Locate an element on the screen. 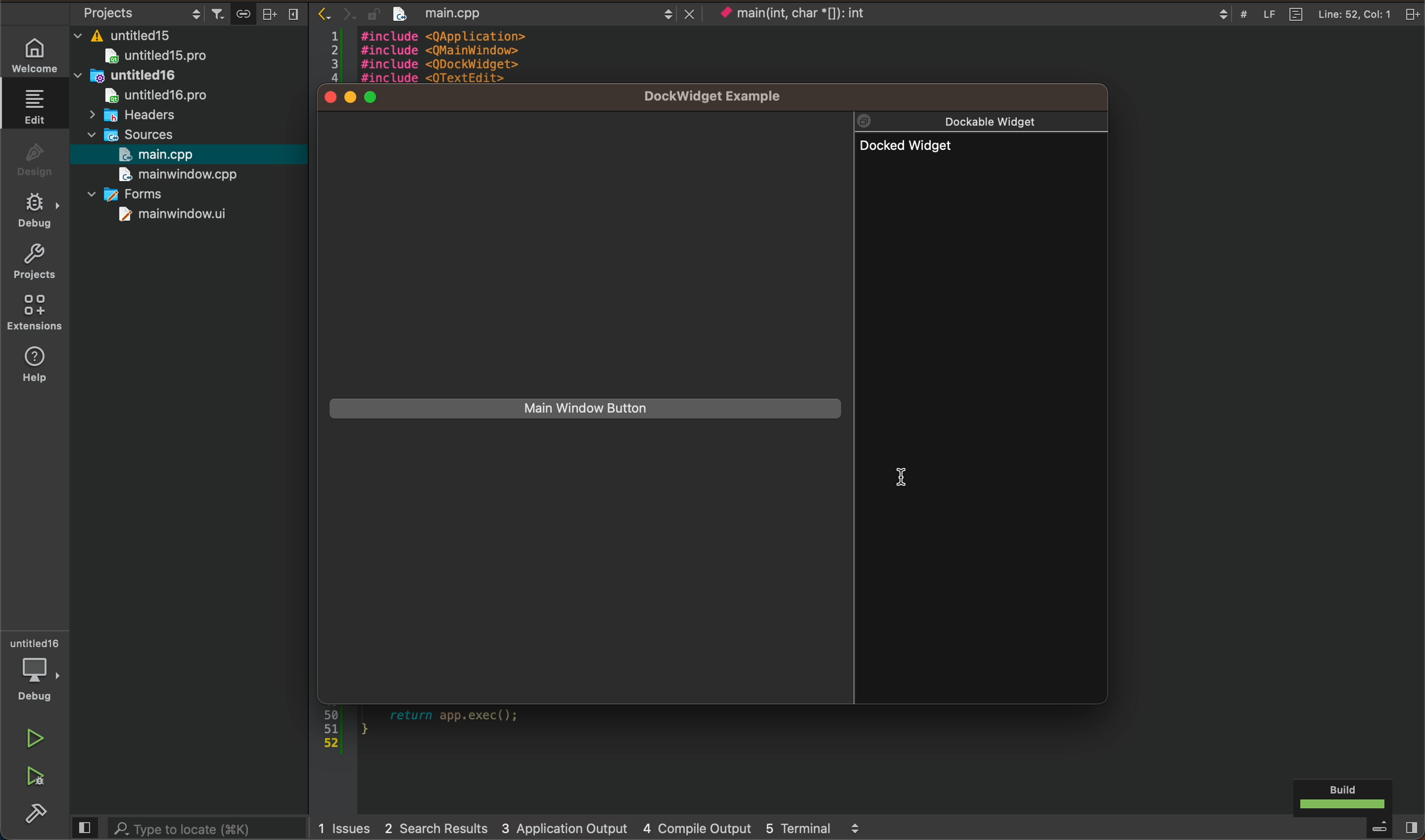 The width and height of the screenshot is (1425, 840). edit is located at coordinates (29, 104).